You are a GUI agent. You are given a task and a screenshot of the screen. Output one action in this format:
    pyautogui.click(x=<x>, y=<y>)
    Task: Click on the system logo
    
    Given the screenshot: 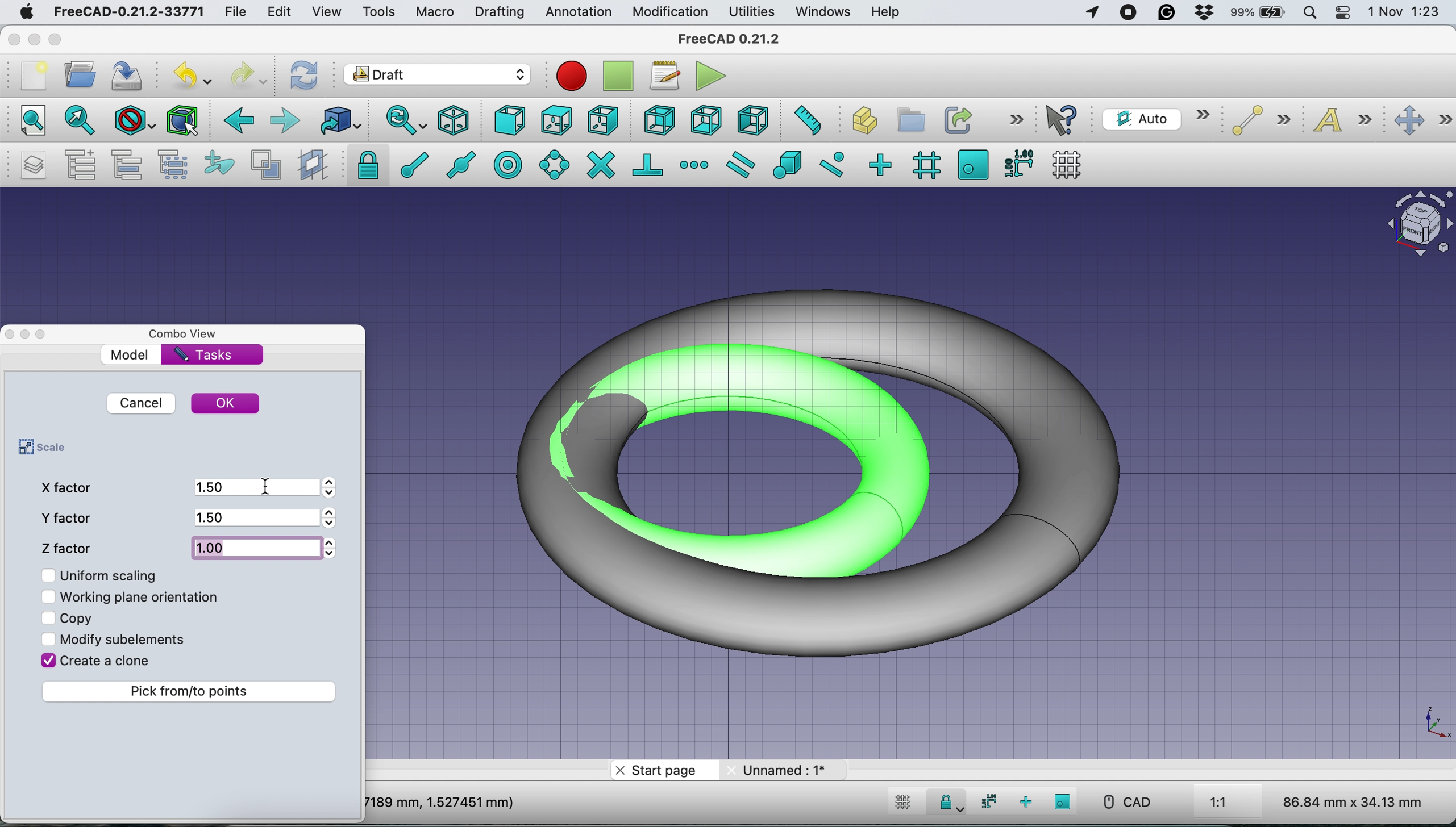 What is the action you would take?
    pyautogui.click(x=24, y=14)
    